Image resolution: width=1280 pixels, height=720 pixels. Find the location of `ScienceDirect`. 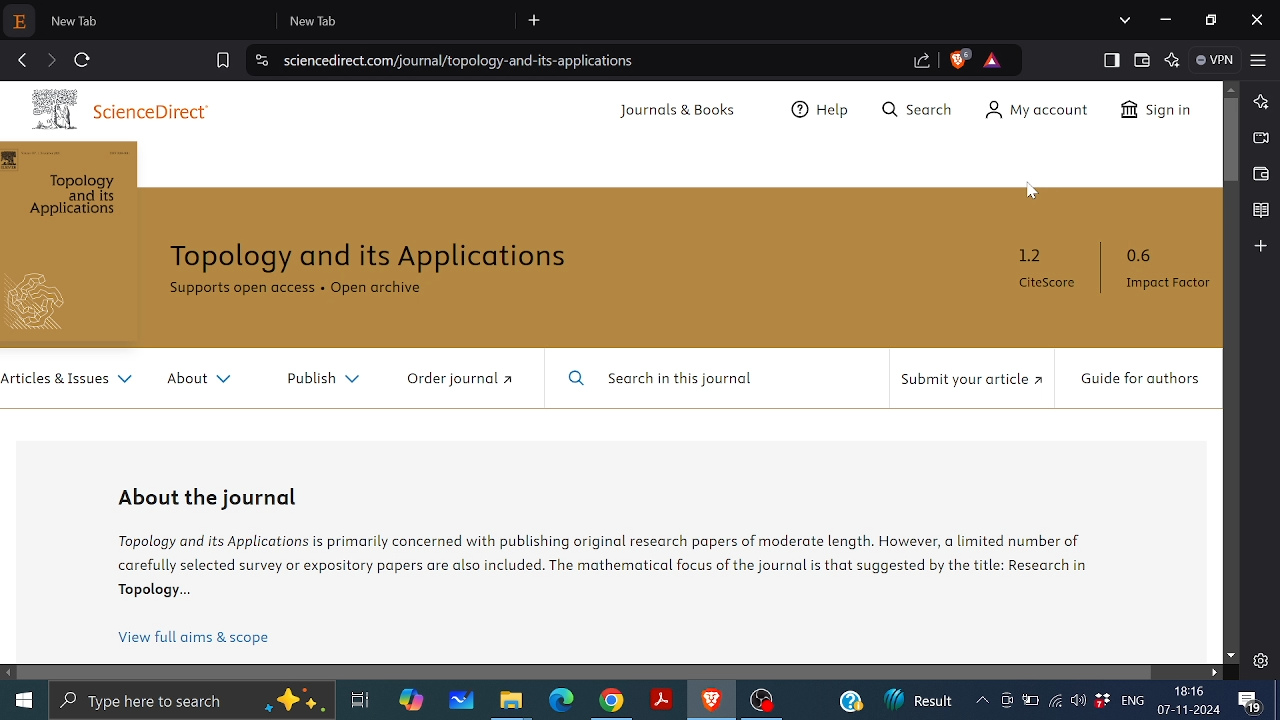

ScienceDirect is located at coordinates (125, 107).